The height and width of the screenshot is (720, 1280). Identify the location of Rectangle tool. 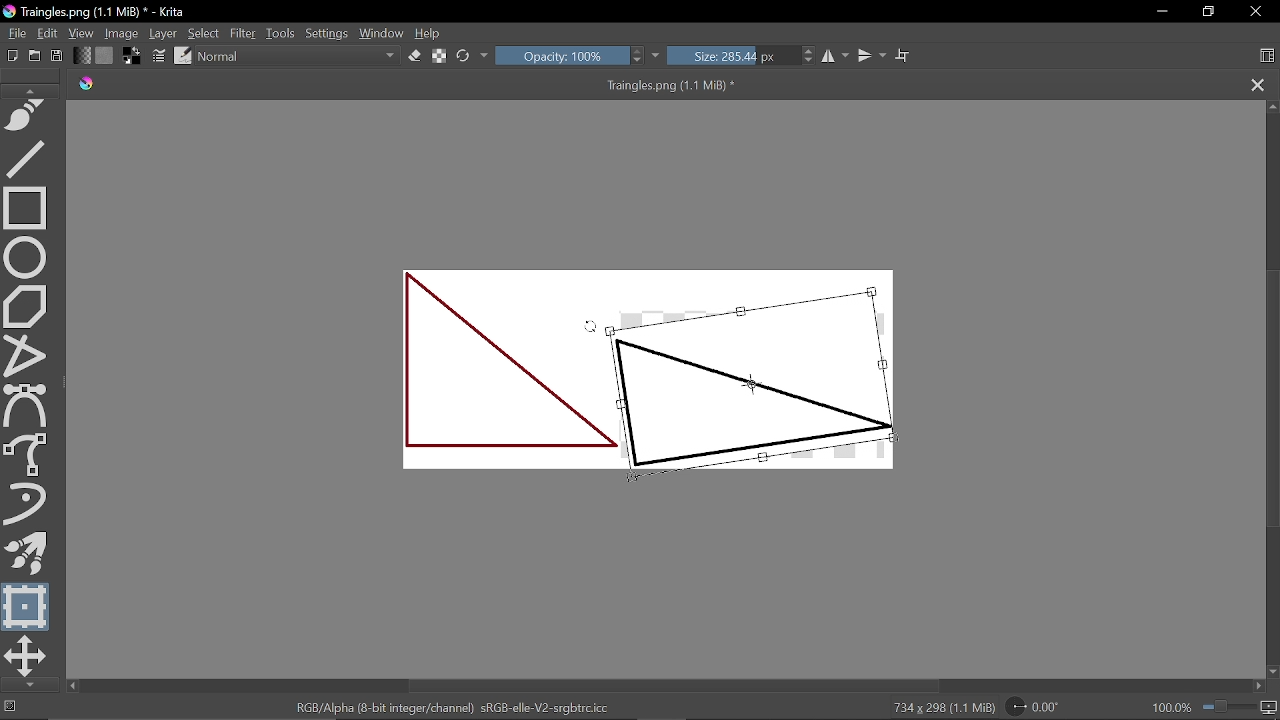
(26, 207).